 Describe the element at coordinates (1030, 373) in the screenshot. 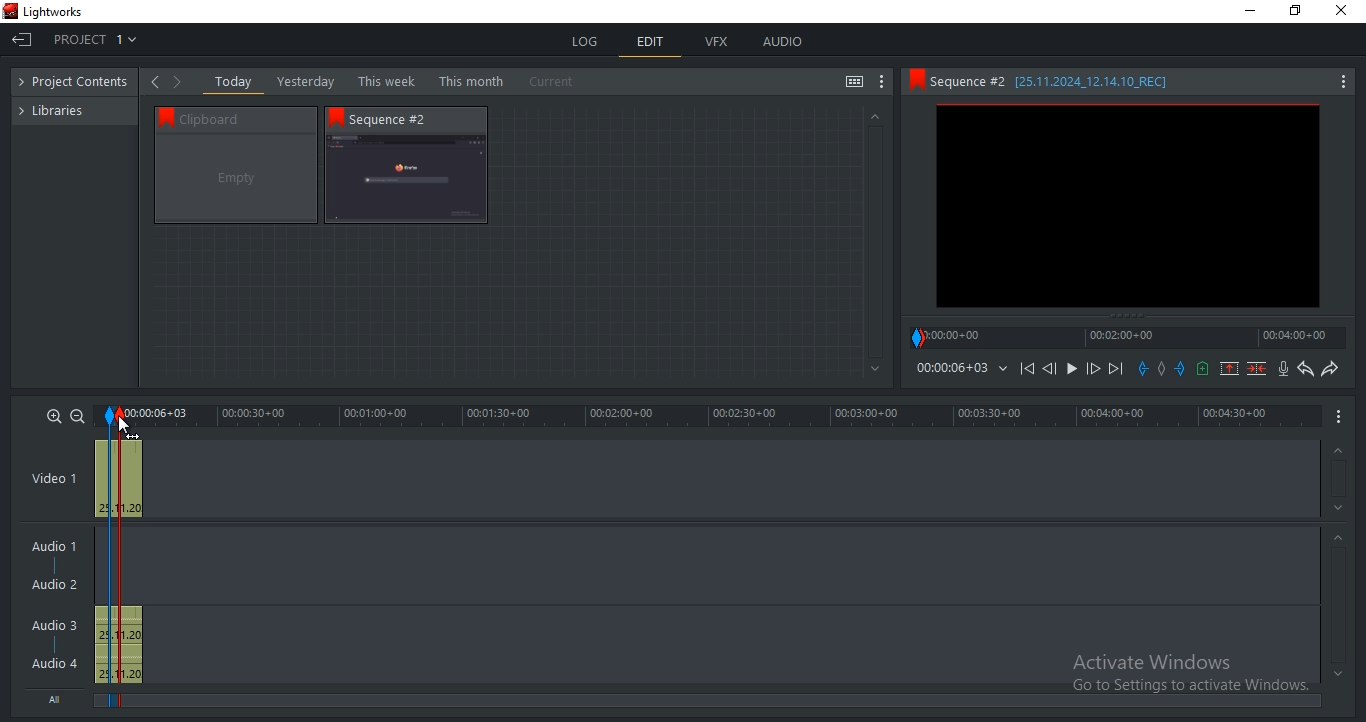

I see `Move backward` at that location.